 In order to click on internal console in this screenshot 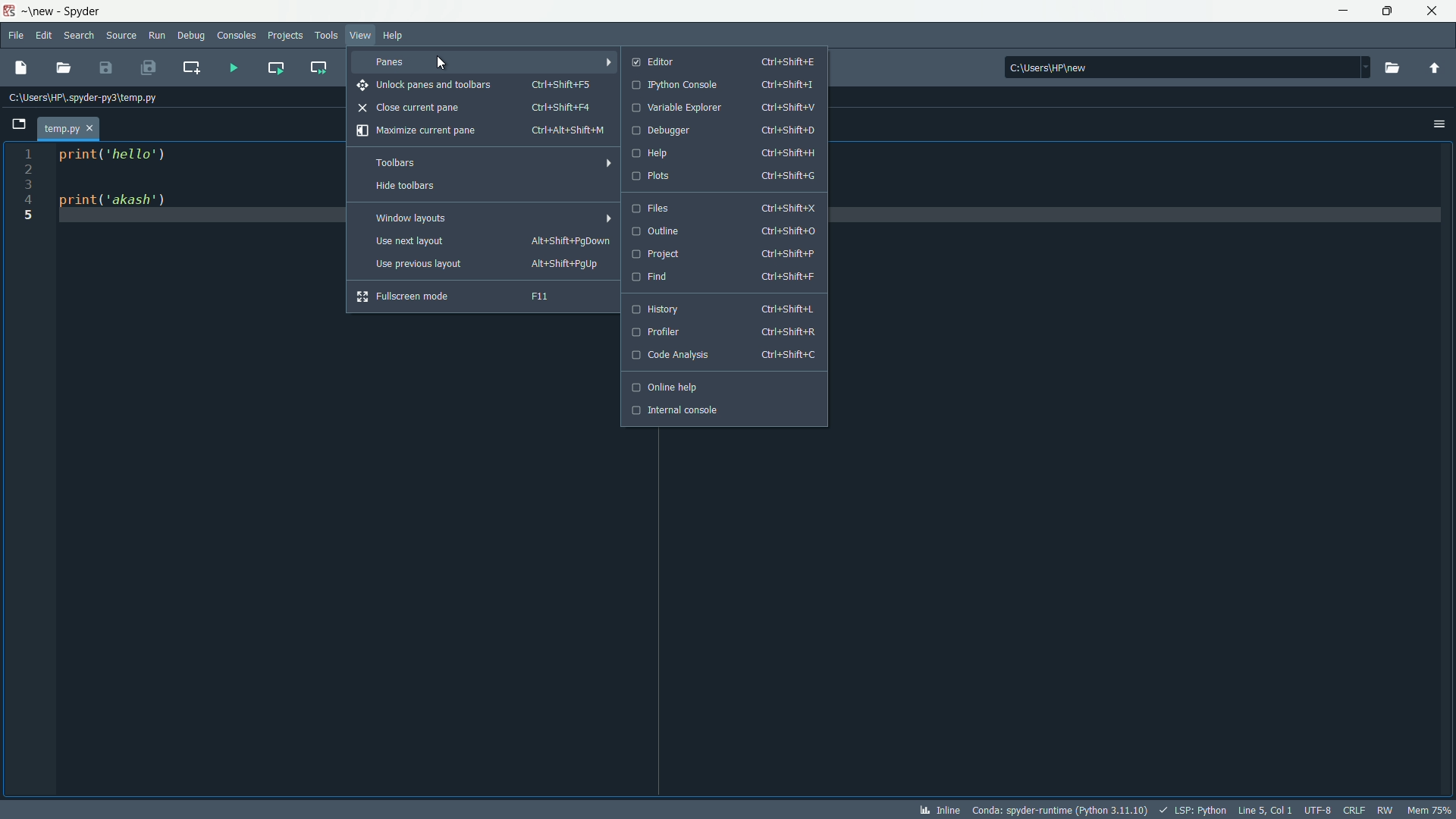, I will do `click(721, 410)`.